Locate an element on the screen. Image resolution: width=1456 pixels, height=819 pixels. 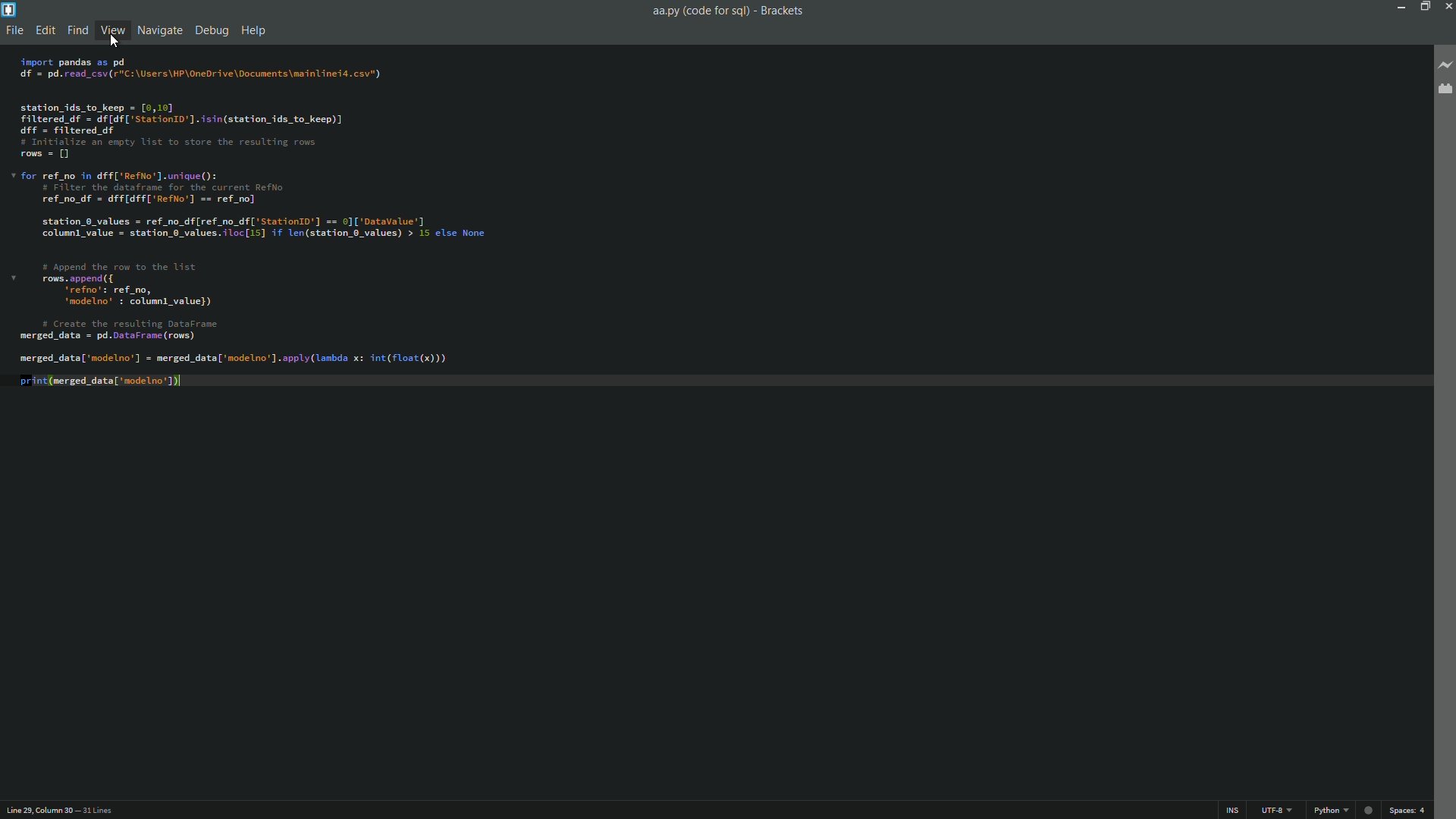
cursor position is located at coordinates (36, 810).